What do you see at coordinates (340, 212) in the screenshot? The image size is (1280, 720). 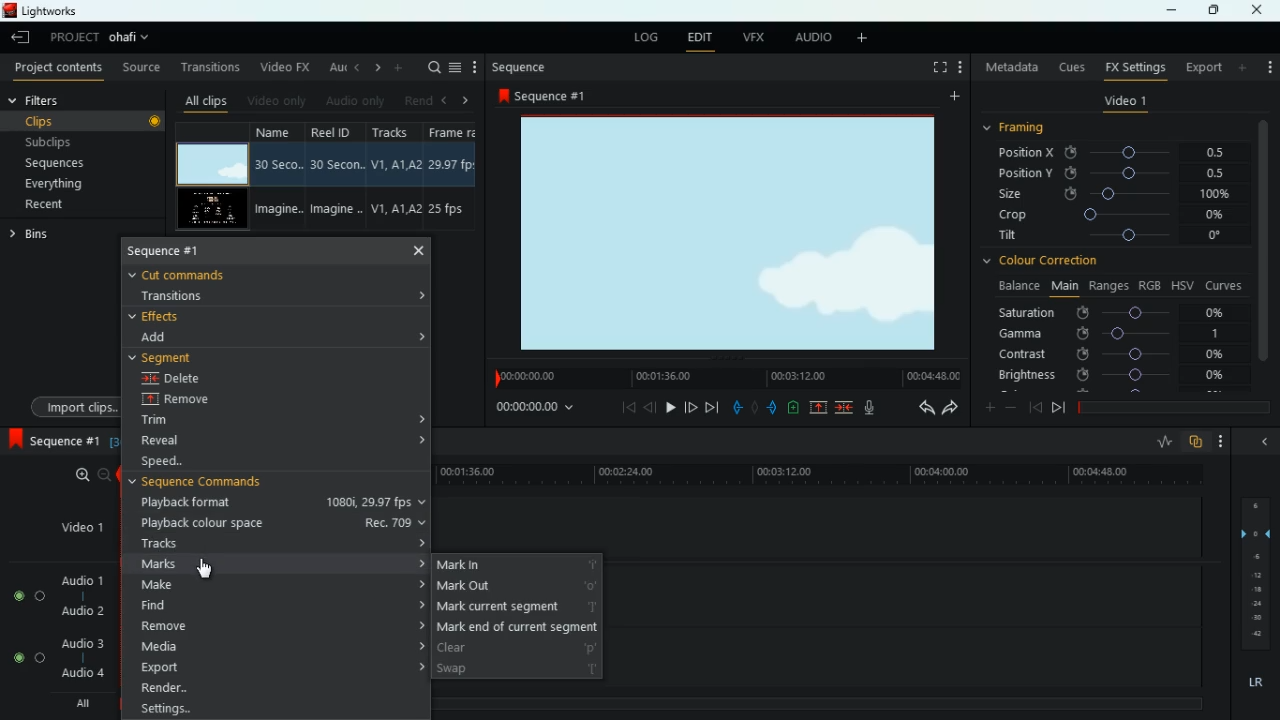 I see `Imagine..` at bounding box center [340, 212].